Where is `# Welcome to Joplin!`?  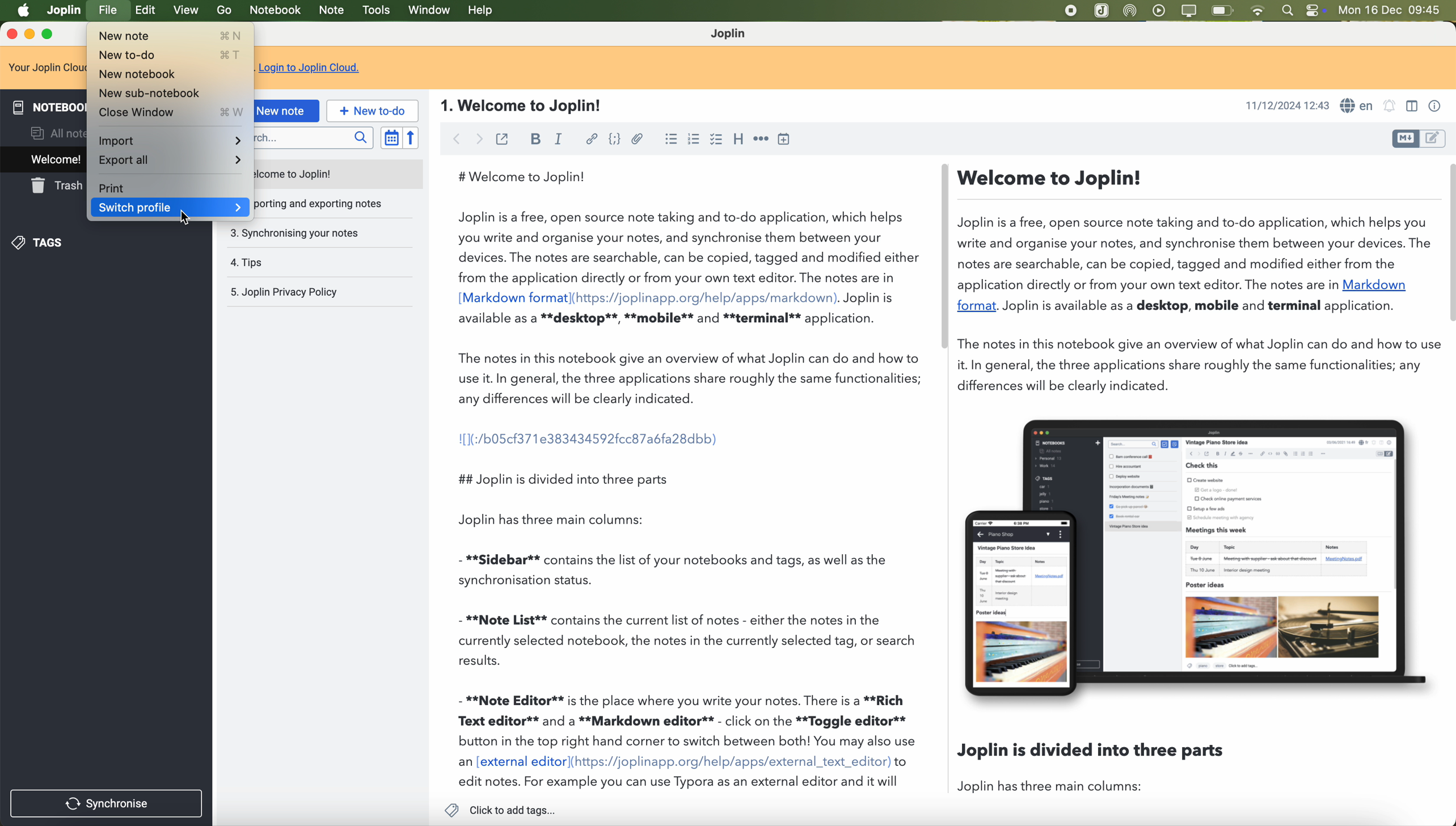 # Welcome to Joplin! is located at coordinates (527, 176).